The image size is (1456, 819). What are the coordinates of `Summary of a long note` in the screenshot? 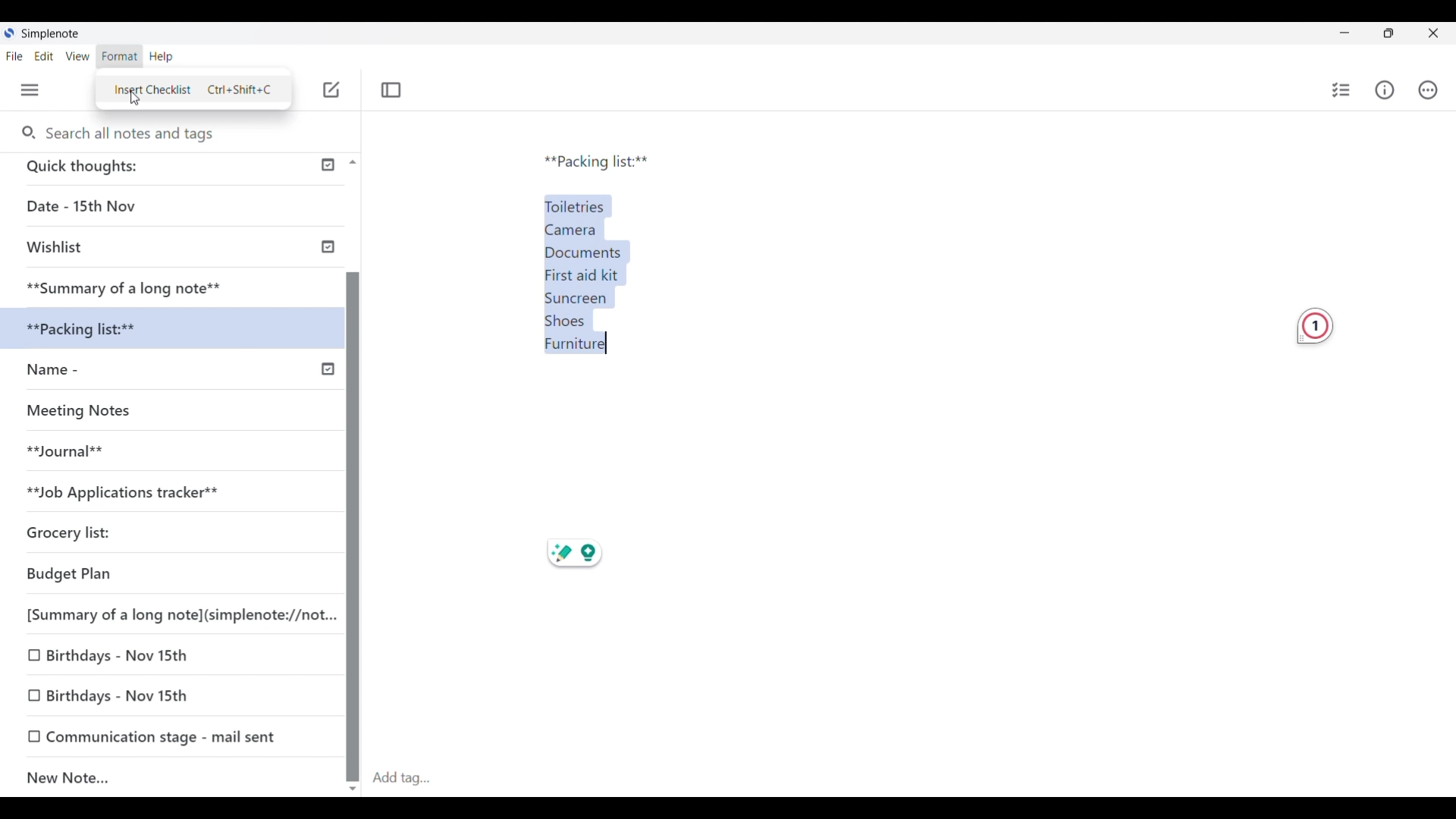 It's located at (126, 286).